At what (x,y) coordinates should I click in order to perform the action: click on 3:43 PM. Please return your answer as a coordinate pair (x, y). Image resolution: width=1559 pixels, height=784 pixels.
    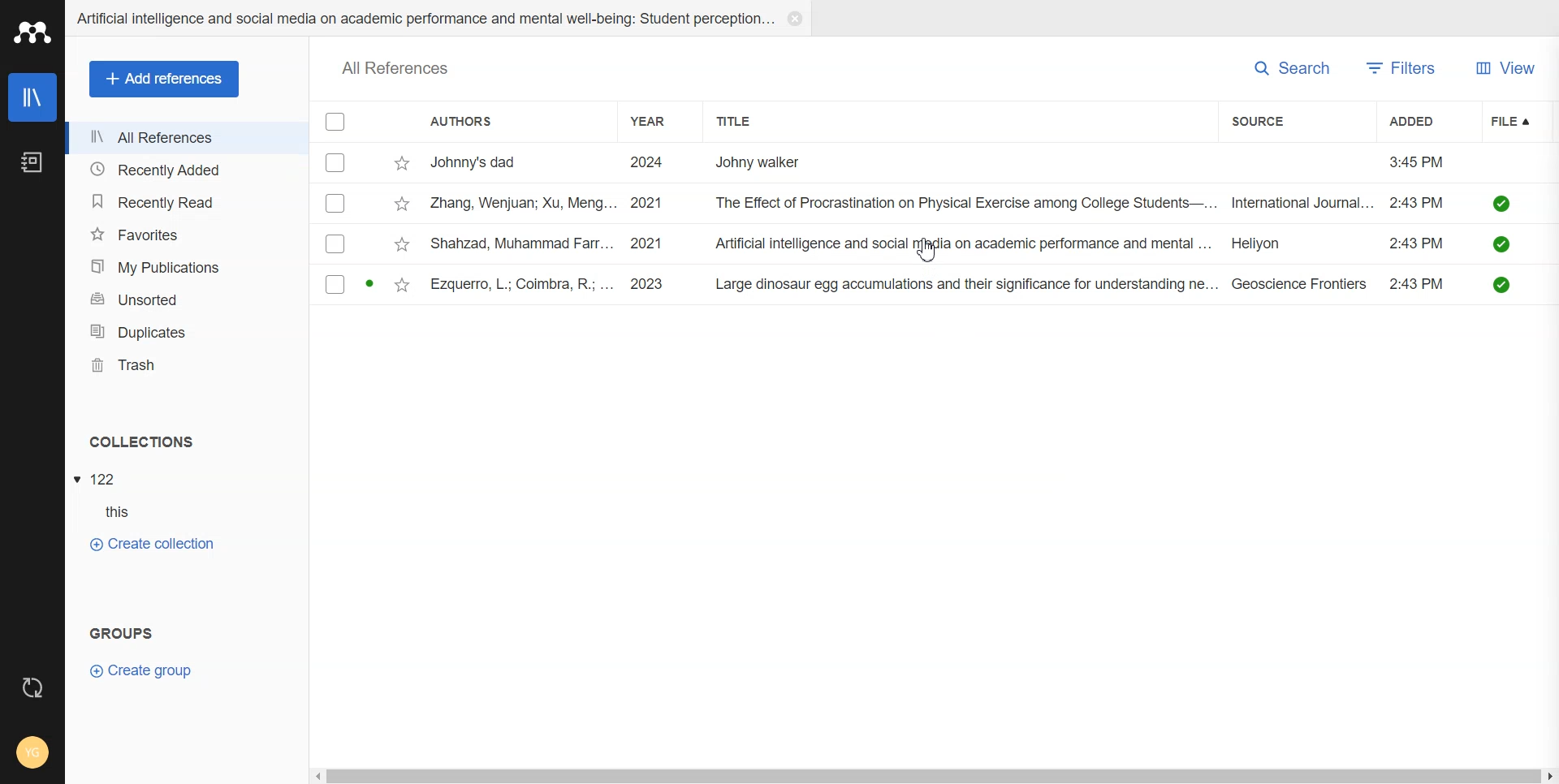
    Looking at the image, I should click on (1417, 203).